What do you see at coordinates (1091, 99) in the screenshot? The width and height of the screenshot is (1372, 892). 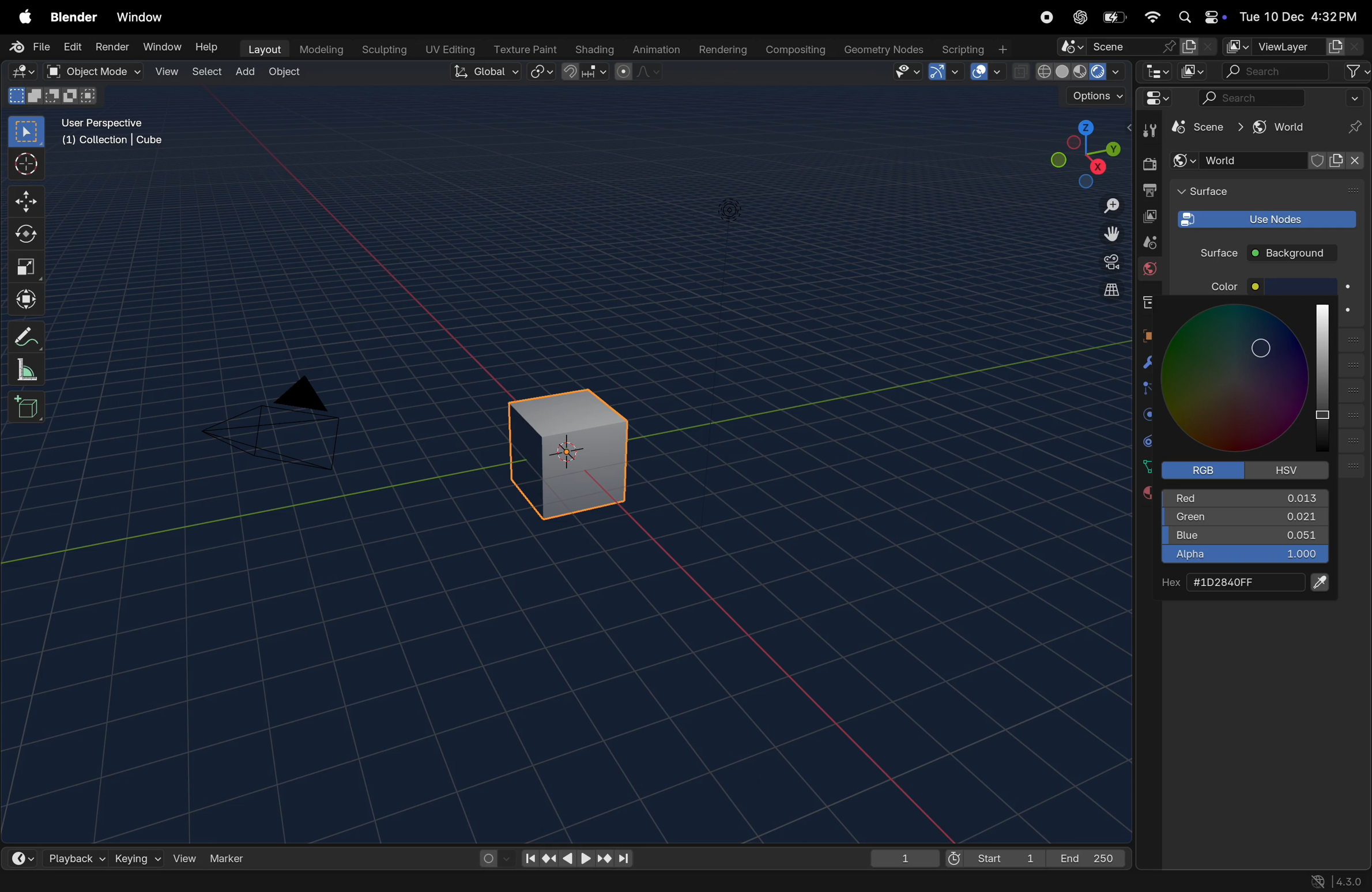 I see `options` at bounding box center [1091, 99].